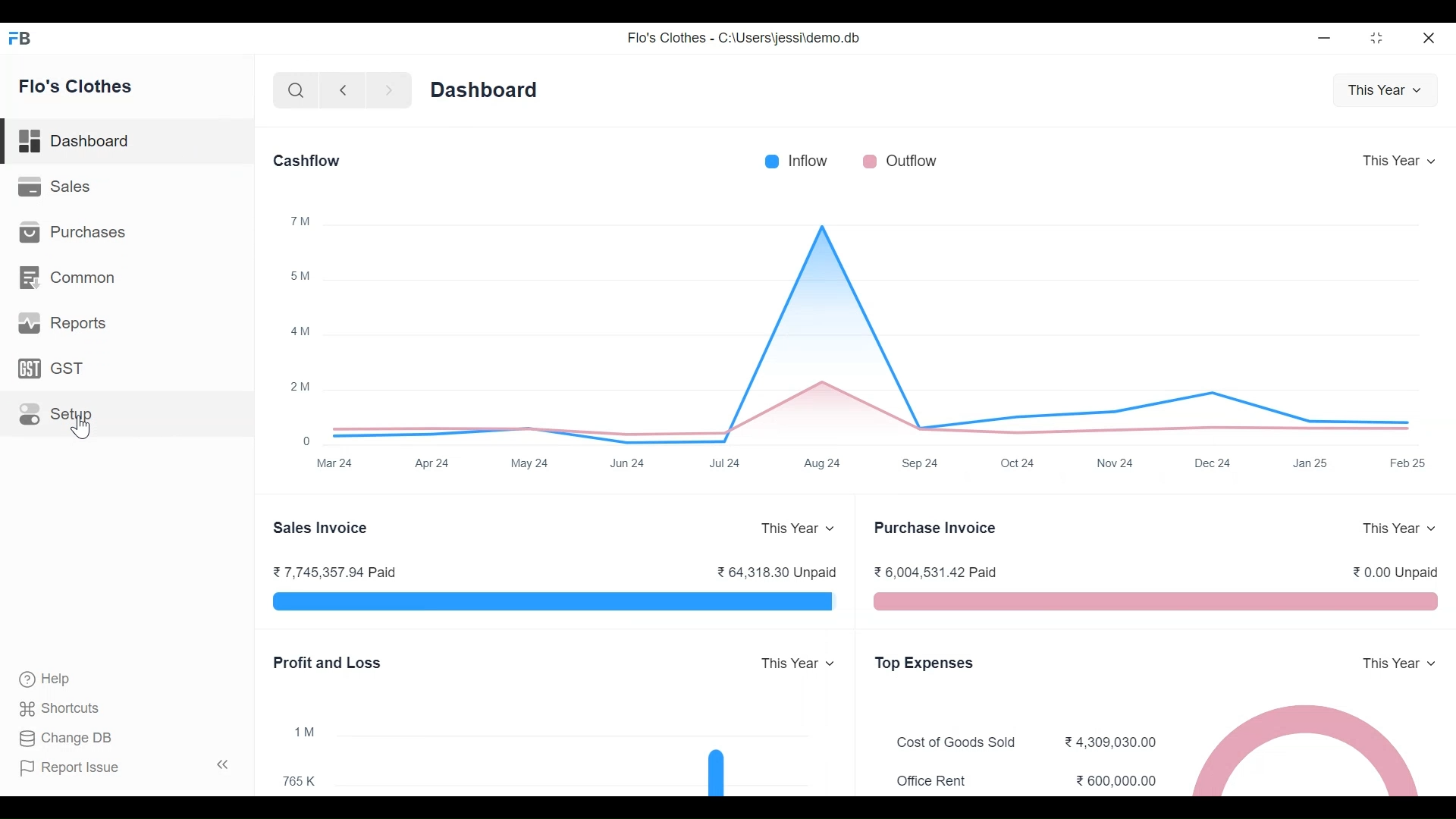 This screenshot has width=1456, height=819. What do you see at coordinates (937, 527) in the screenshot?
I see `purchase invoice` at bounding box center [937, 527].